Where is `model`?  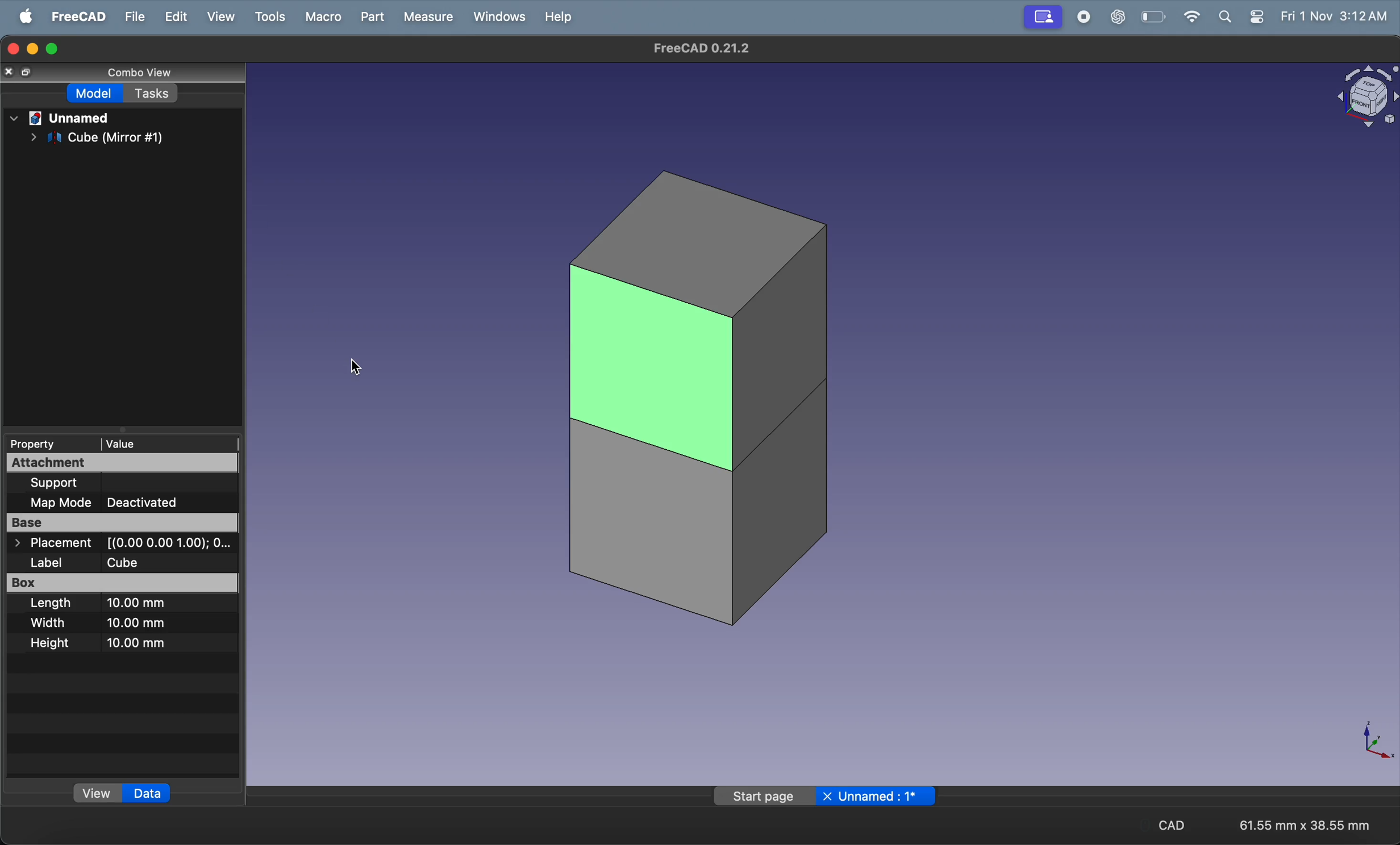
model is located at coordinates (94, 93).